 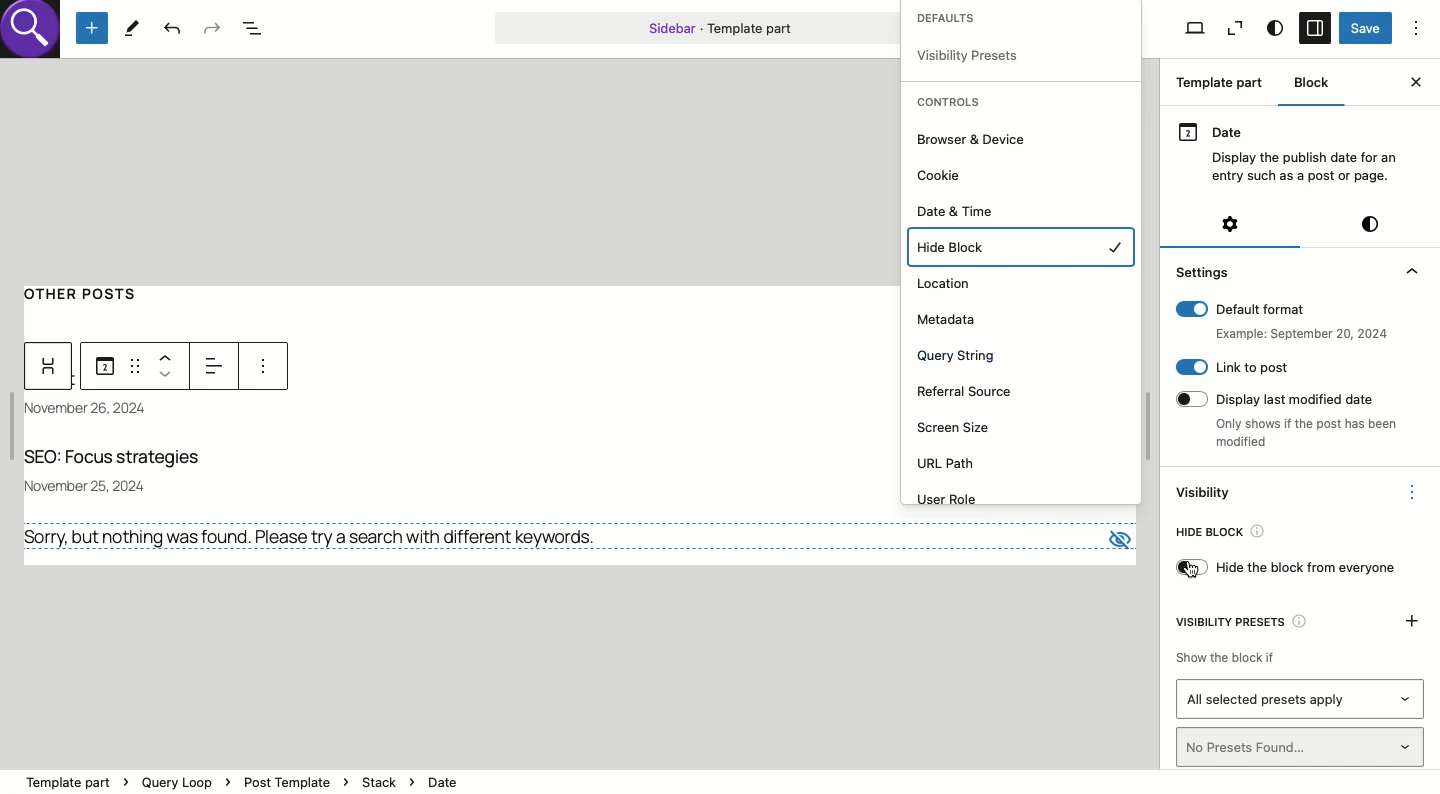 What do you see at coordinates (977, 140) in the screenshot?
I see `Browser and device` at bounding box center [977, 140].